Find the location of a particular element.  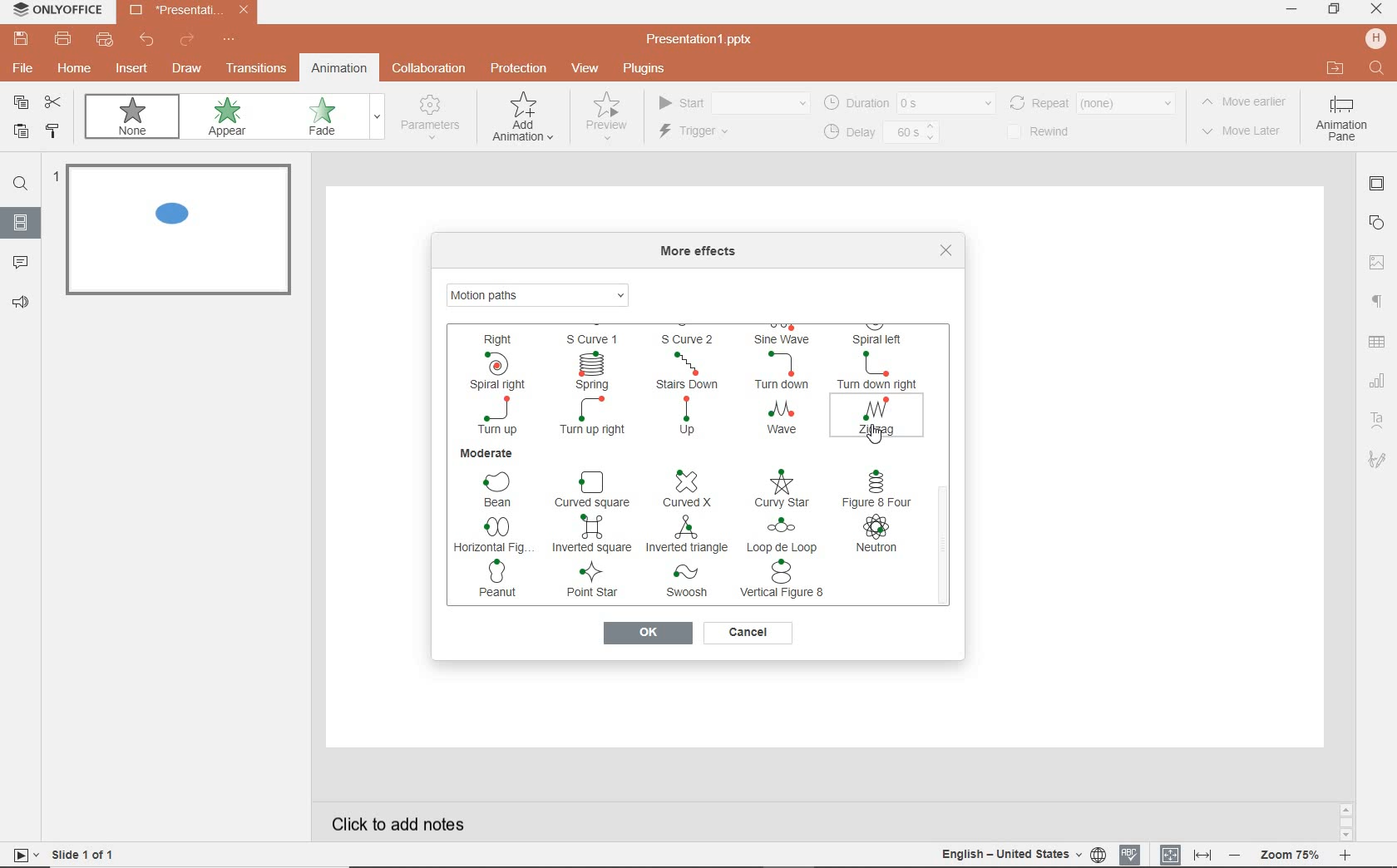

MINIMIZE is located at coordinates (1291, 9).